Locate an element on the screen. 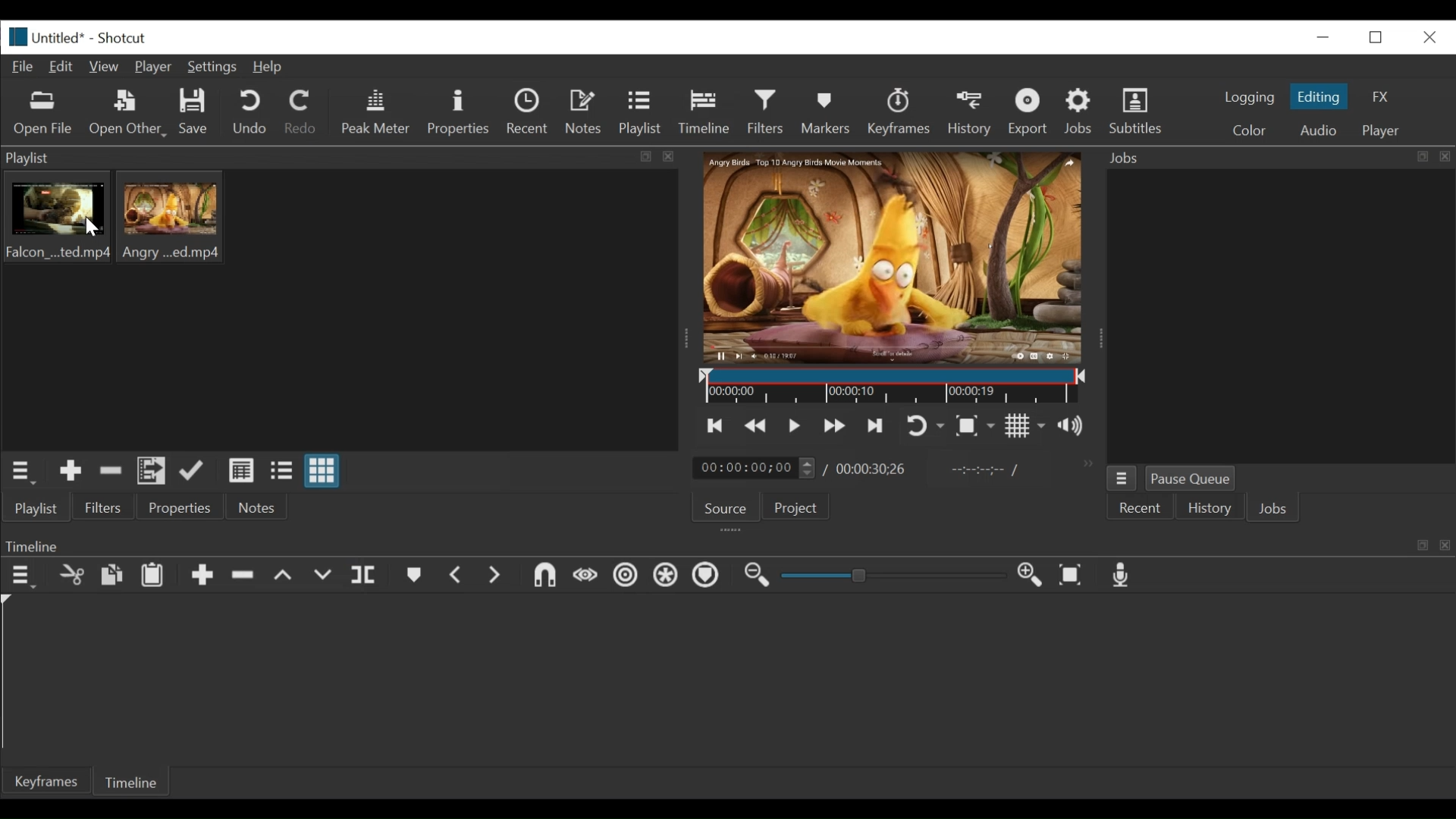  Toggle play or pause is located at coordinates (795, 425).